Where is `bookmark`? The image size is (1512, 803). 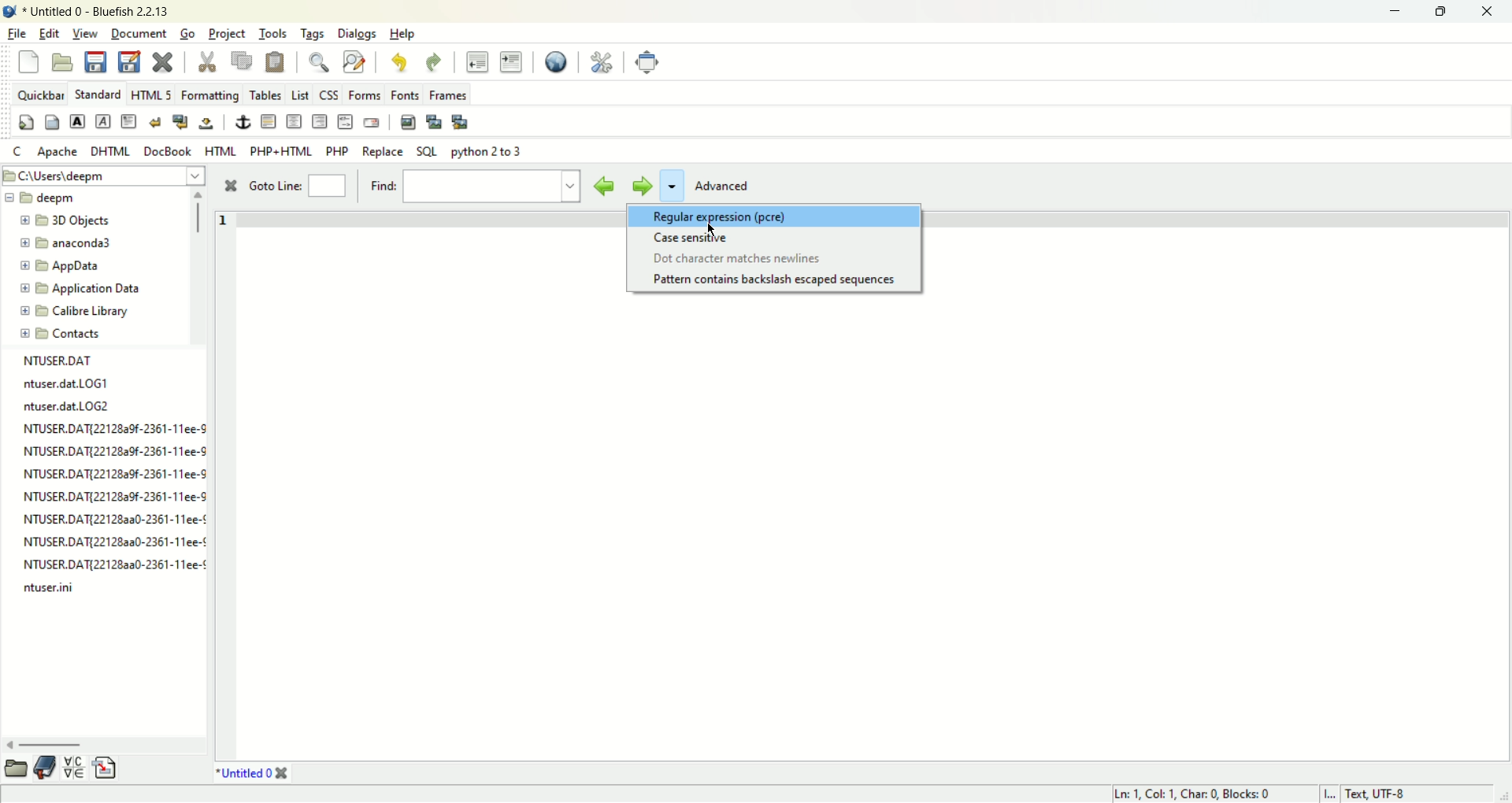
bookmark is located at coordinates (48, 770).